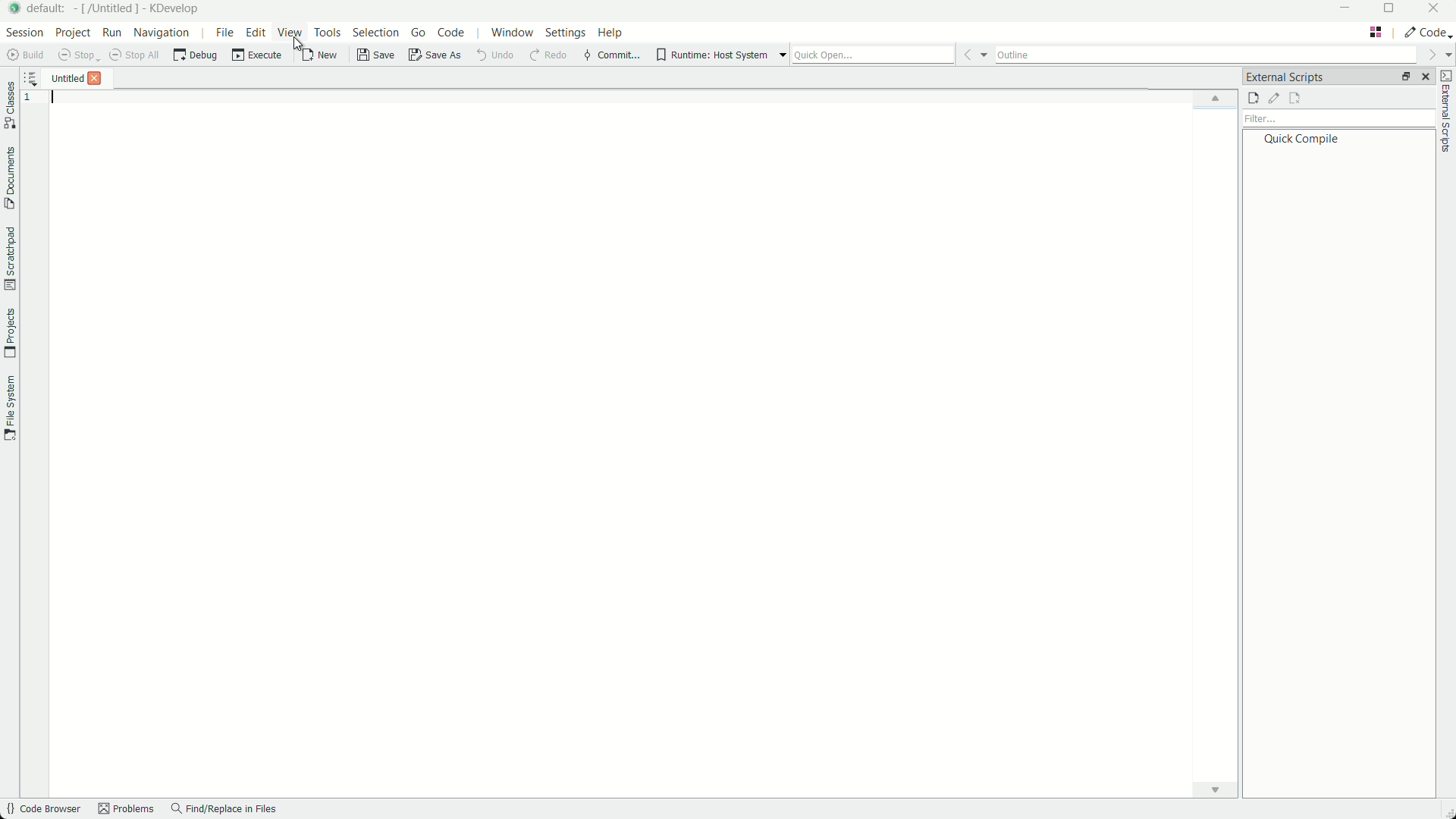 This screenshot has height=819, width=1456. What do you see at coordinates (30, 100) in the screenshot?
I see `1` at bounding box center [30, 100].